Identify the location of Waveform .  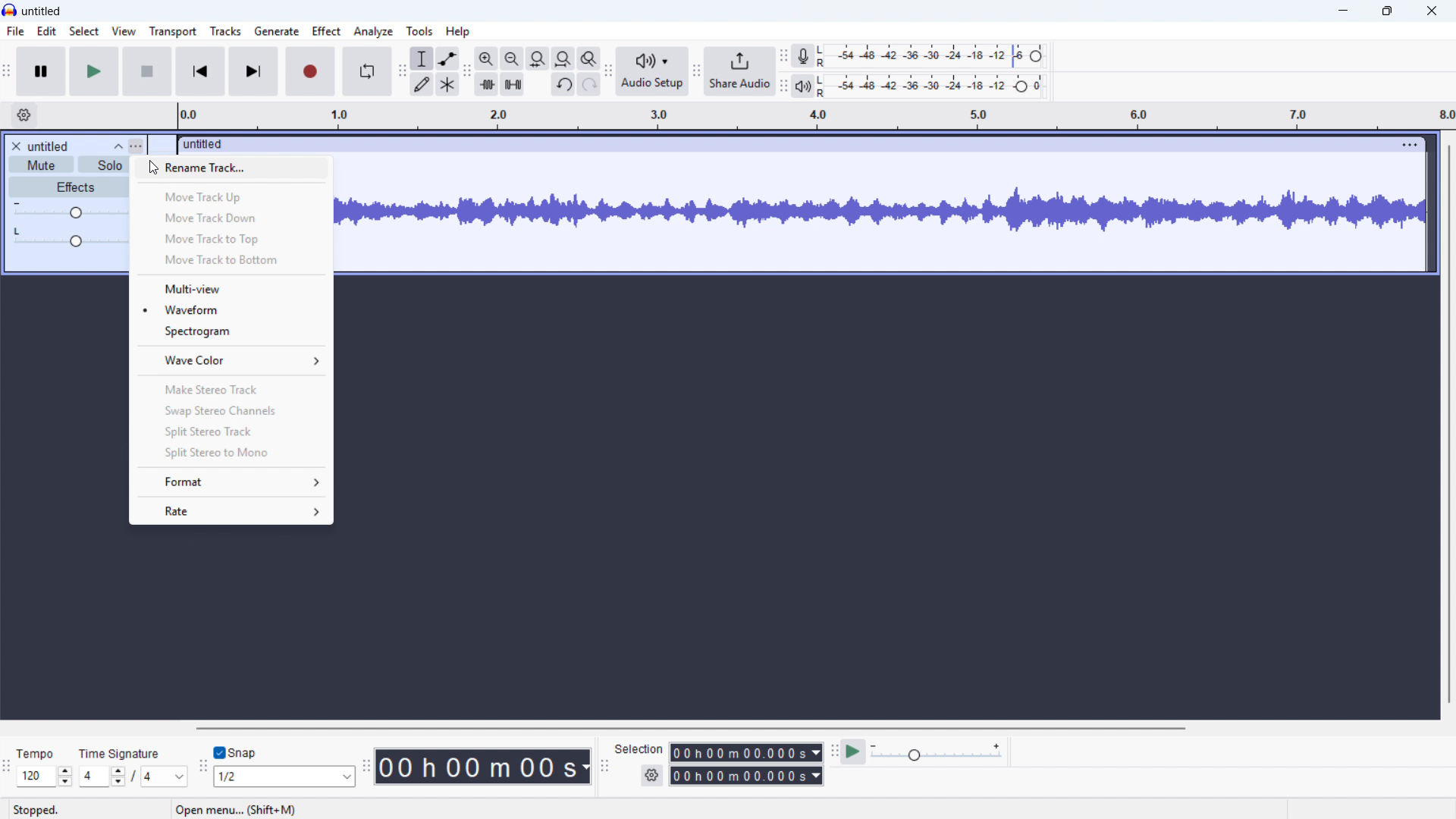
(231, 309).